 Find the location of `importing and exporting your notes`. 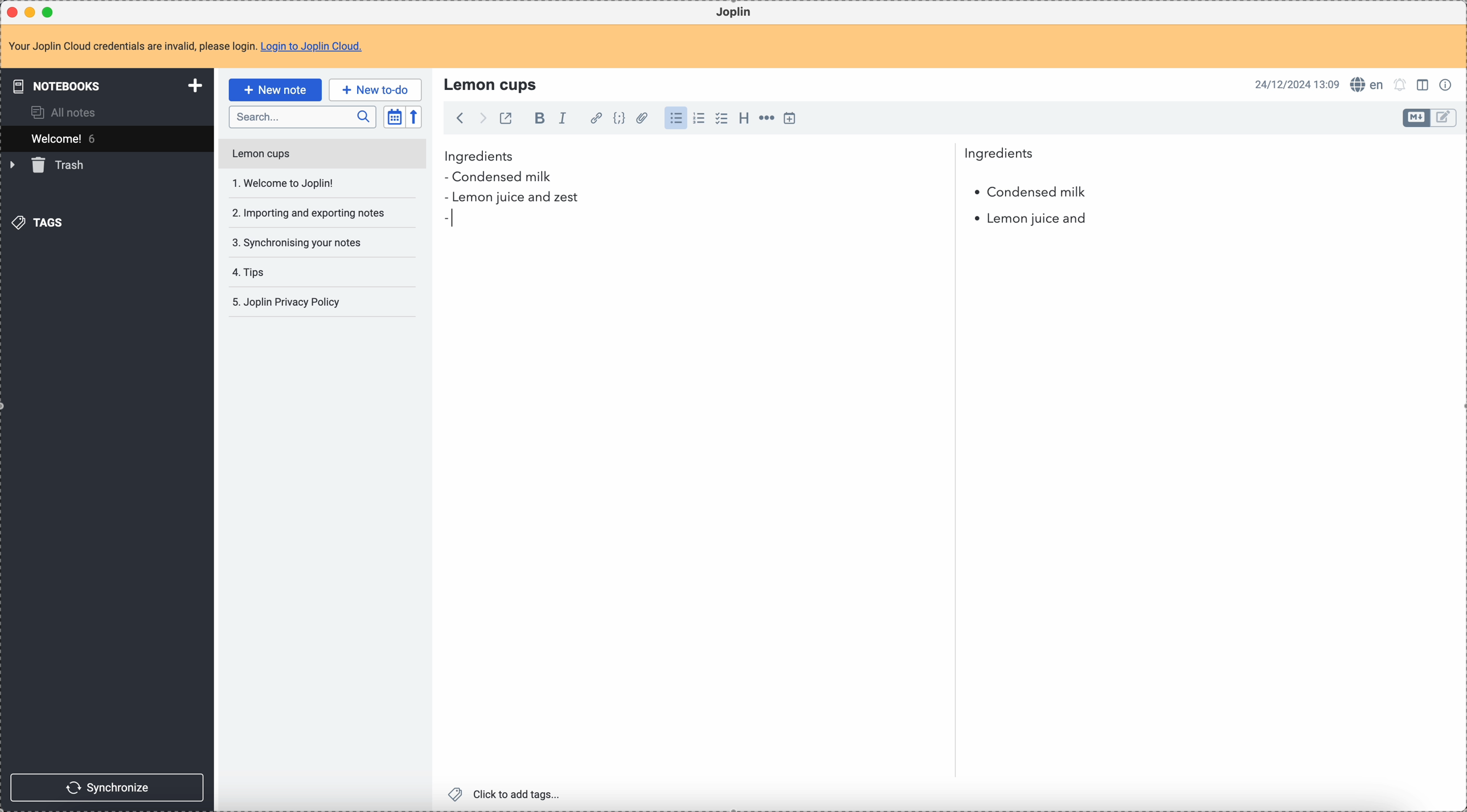

importing and exporting your notes is located at coordinates (310, 213).